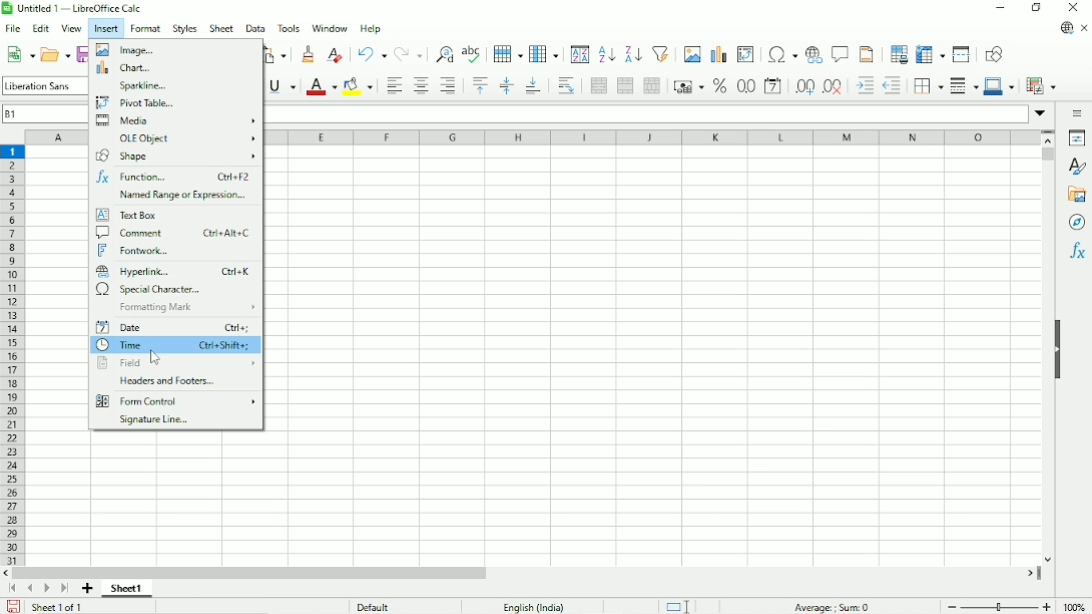 The height and width of the screenshot is (614, 1092). What do you see at coordinates (928, 85) in the screenshot?
I see `Borders` at bounding box center [928, 85].